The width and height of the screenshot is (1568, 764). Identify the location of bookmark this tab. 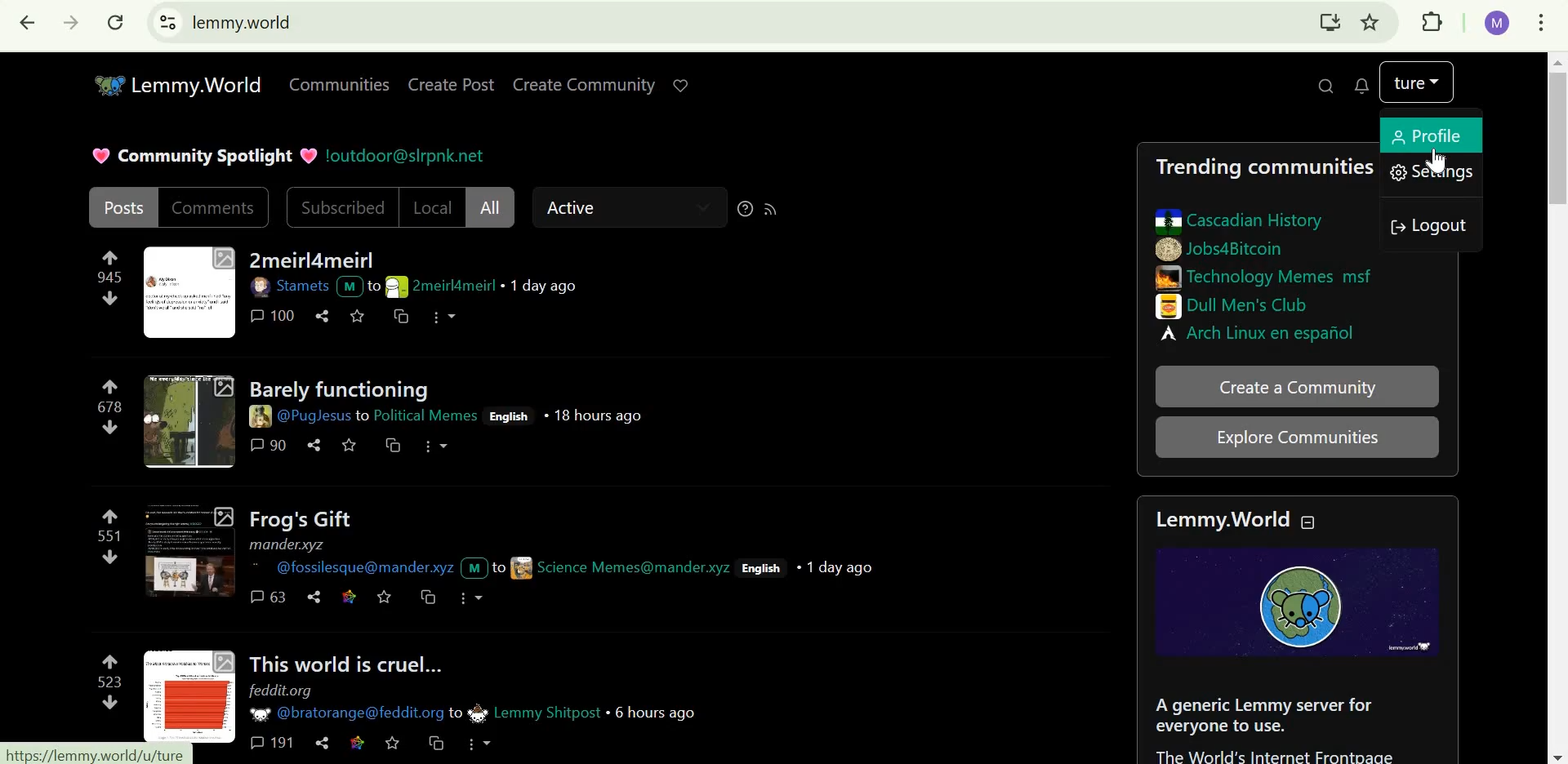
(1371, 22).